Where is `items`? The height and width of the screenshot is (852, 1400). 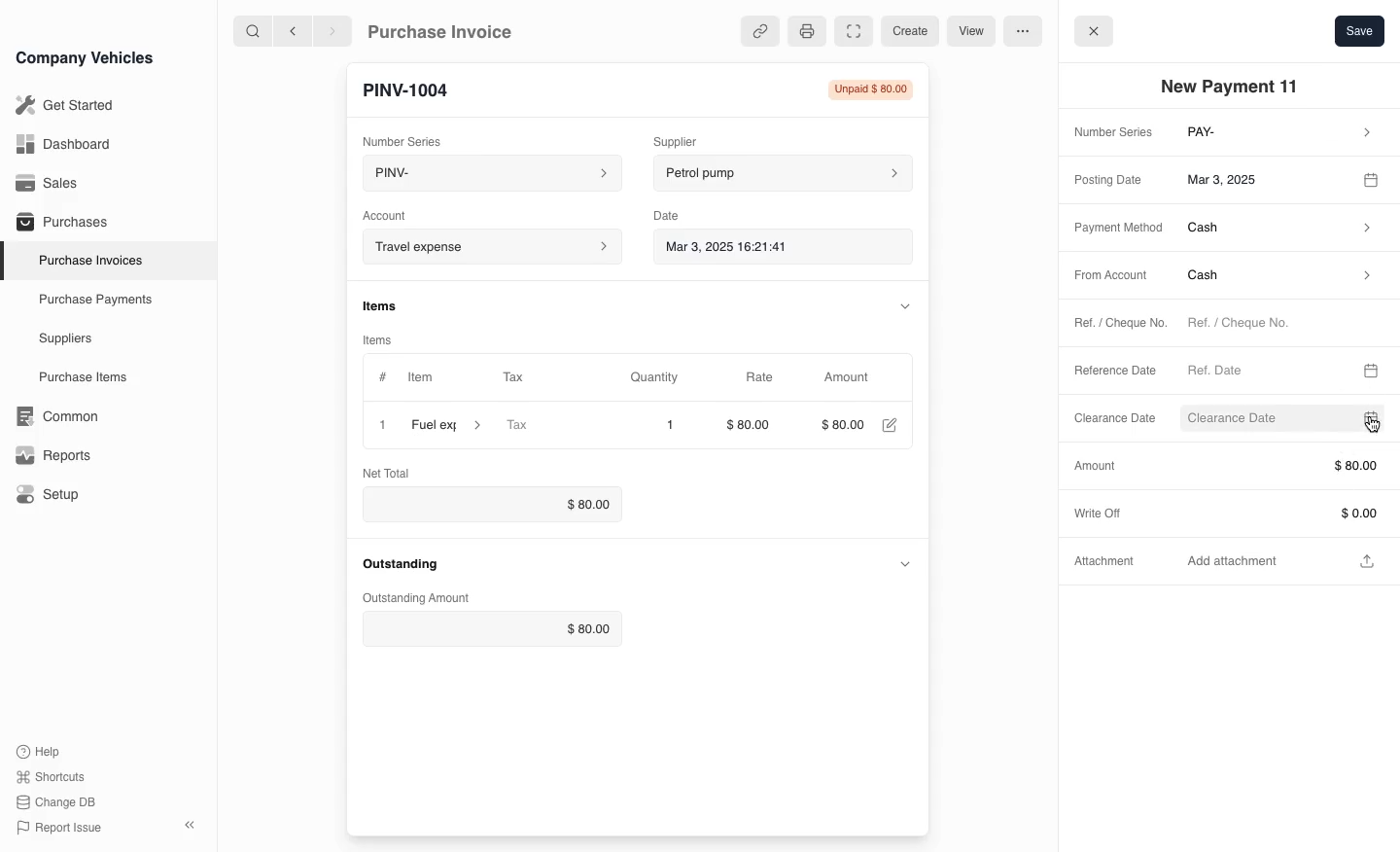
items is located at coordinates (390, 304).